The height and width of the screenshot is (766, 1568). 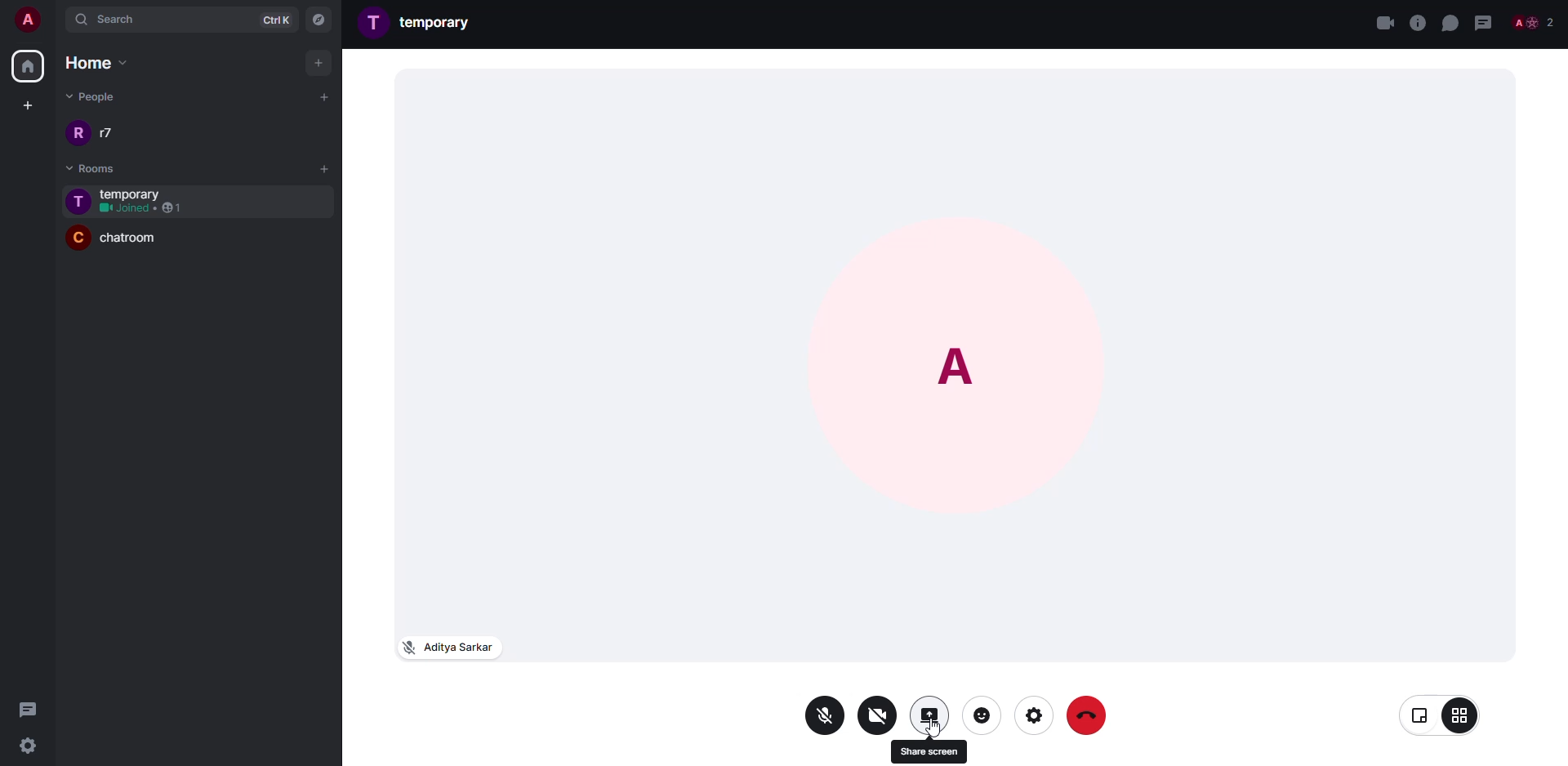 What do you see at coordinates (982, 714) in the screenshot?
I see `reaction` at bounding box center [982, 714].